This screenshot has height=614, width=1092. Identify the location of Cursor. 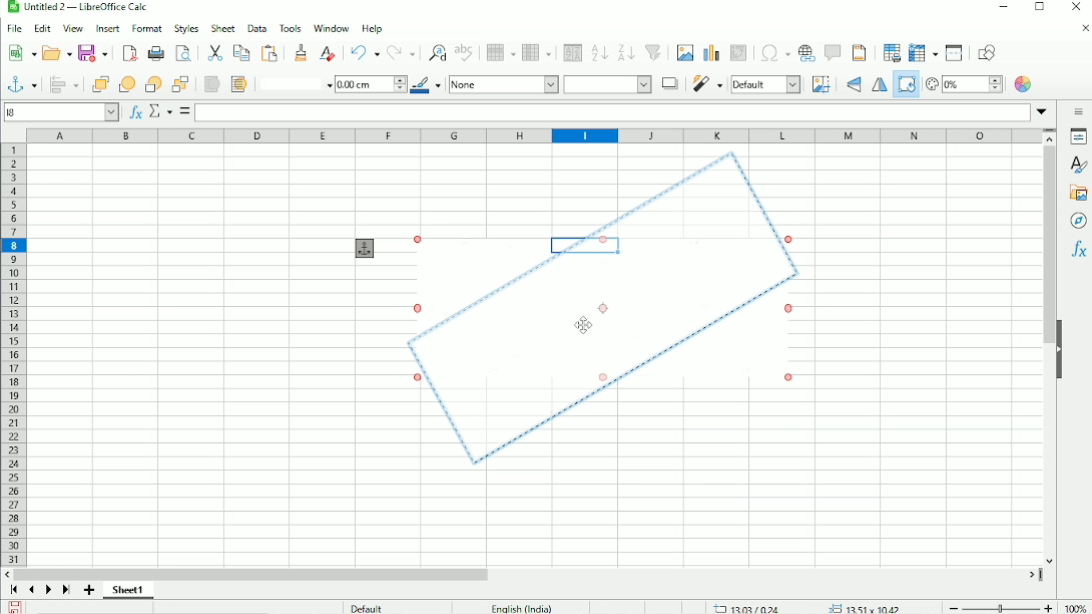
(585, 325).